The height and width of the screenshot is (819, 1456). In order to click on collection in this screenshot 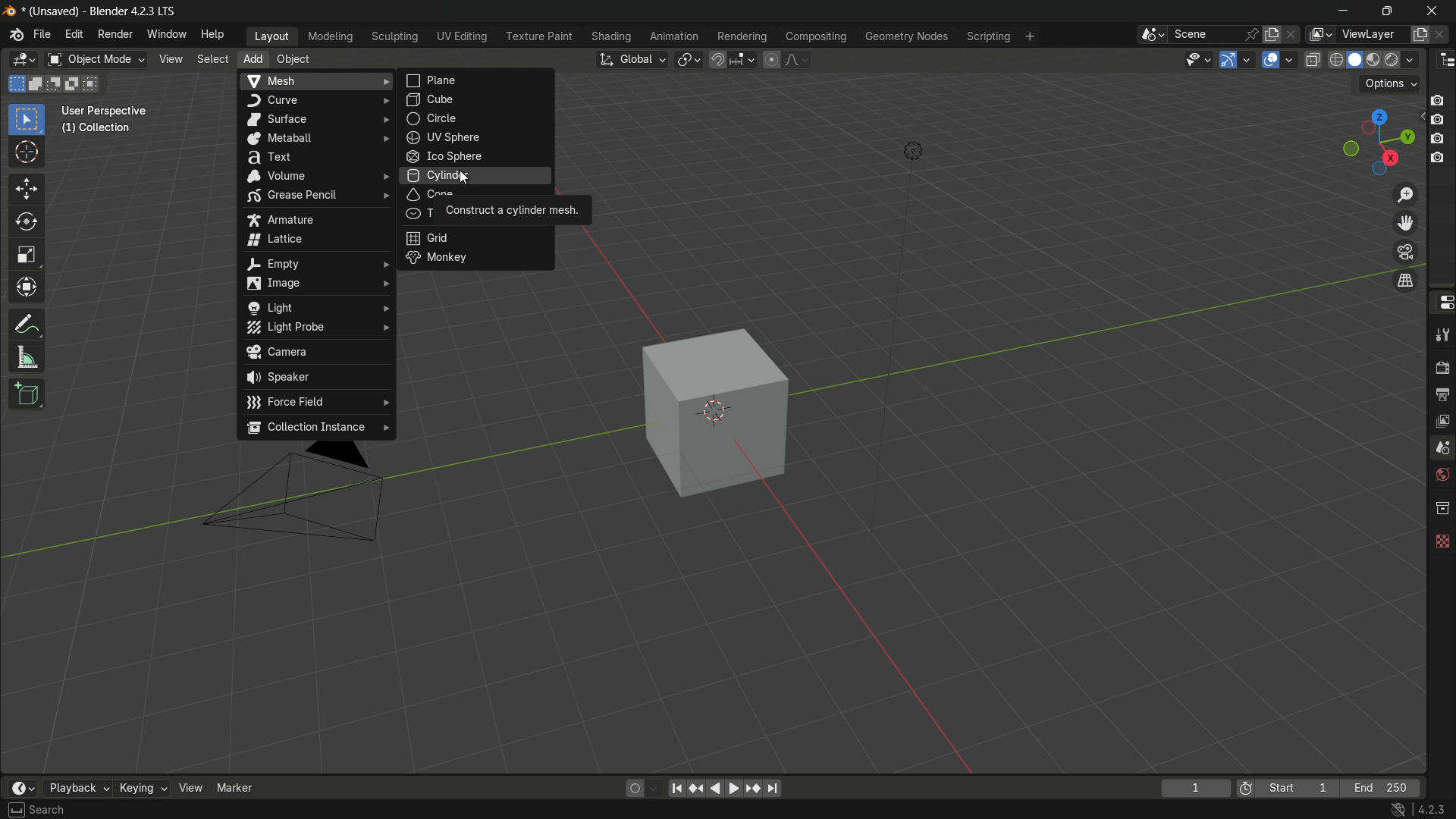, I will do `click(1439, 508)`.